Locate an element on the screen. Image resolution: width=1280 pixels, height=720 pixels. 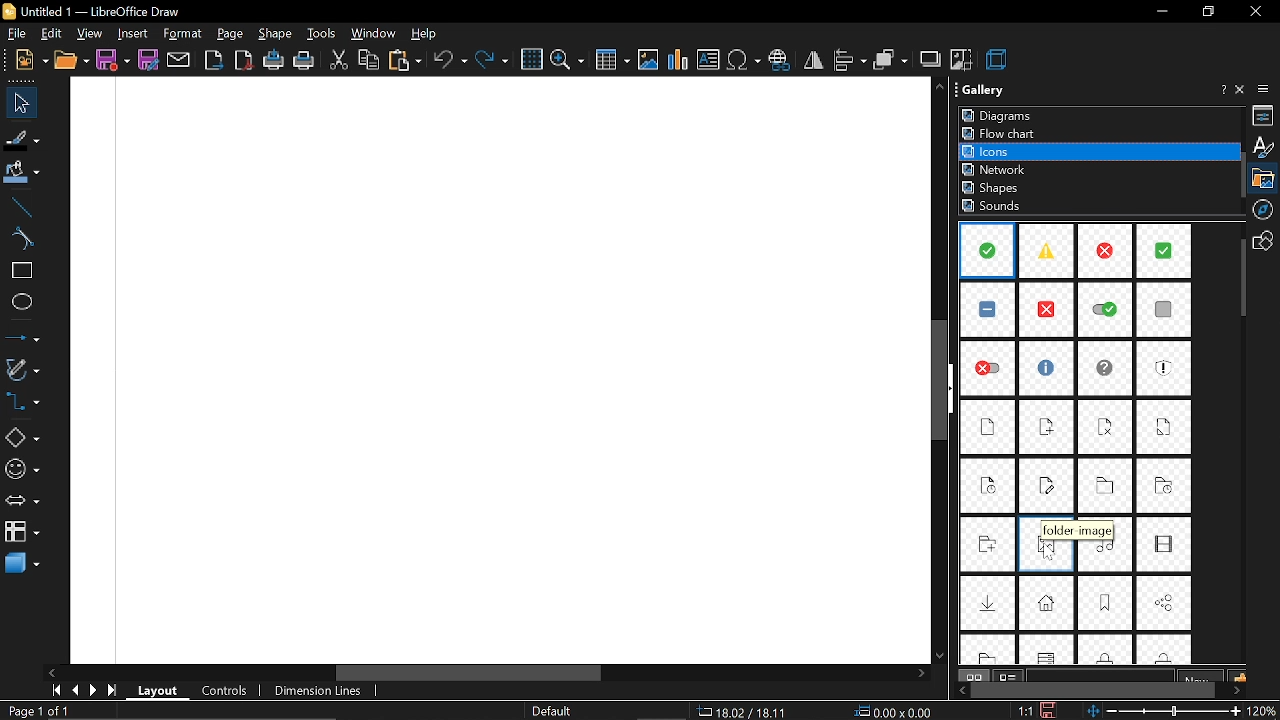
help is located at coordinates (1221, 92).